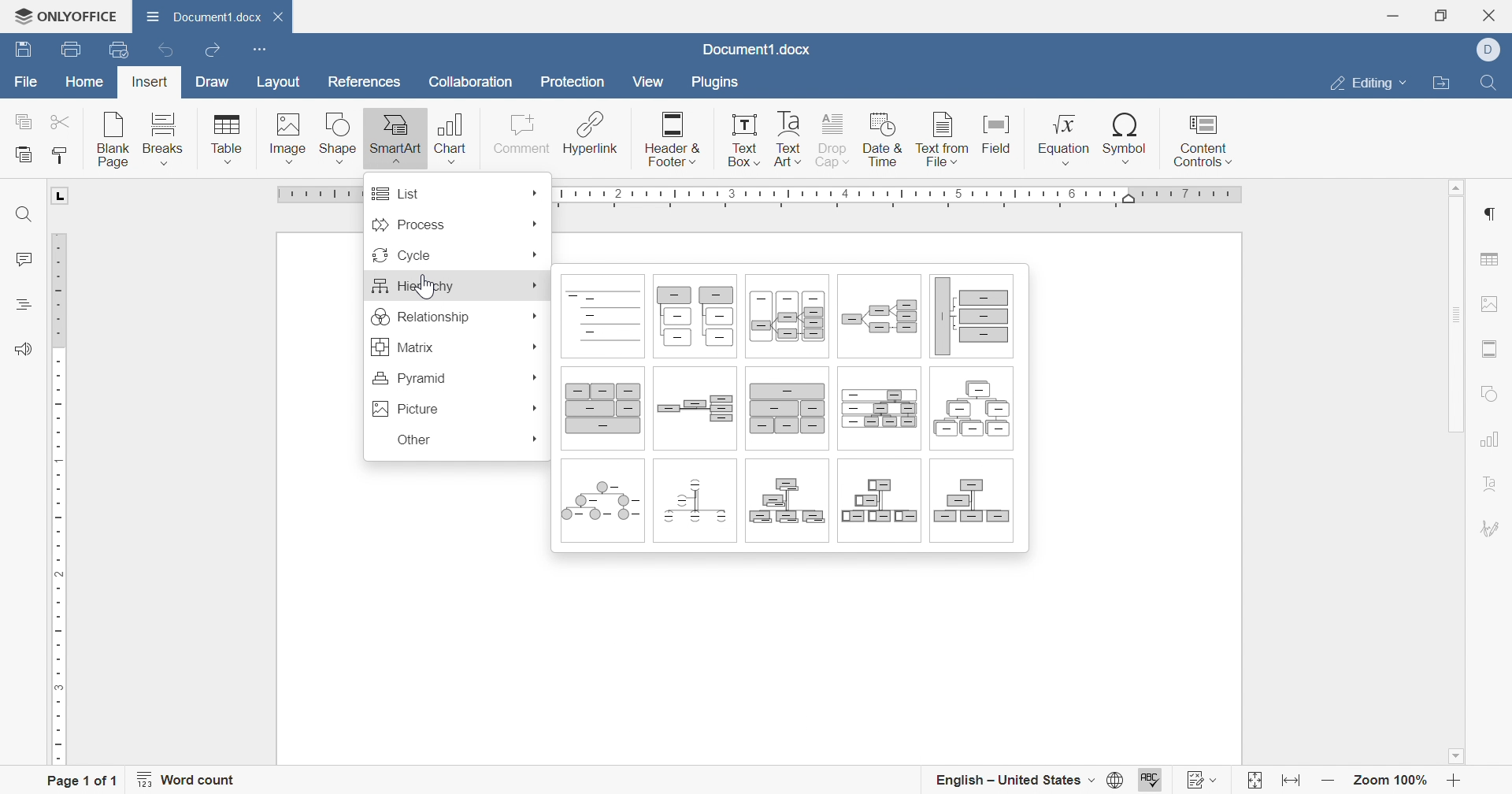 This screenshot has height=794, width=1512. I want to click on Save, so click(21, 49).